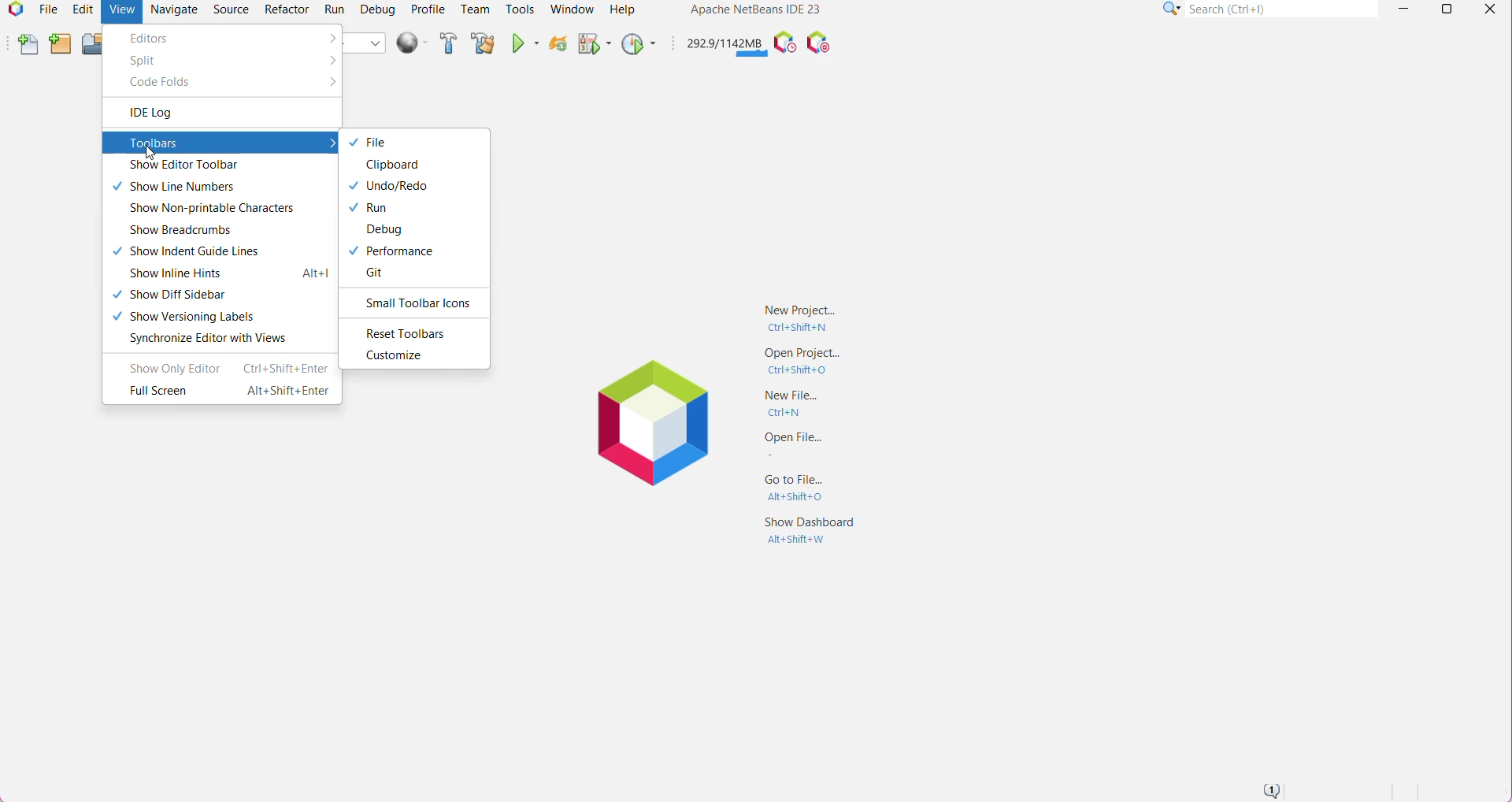  What do you see at coordinates (220, 143) in the screenshot?
I see `Toolbars` at bounding box center [220, 143].